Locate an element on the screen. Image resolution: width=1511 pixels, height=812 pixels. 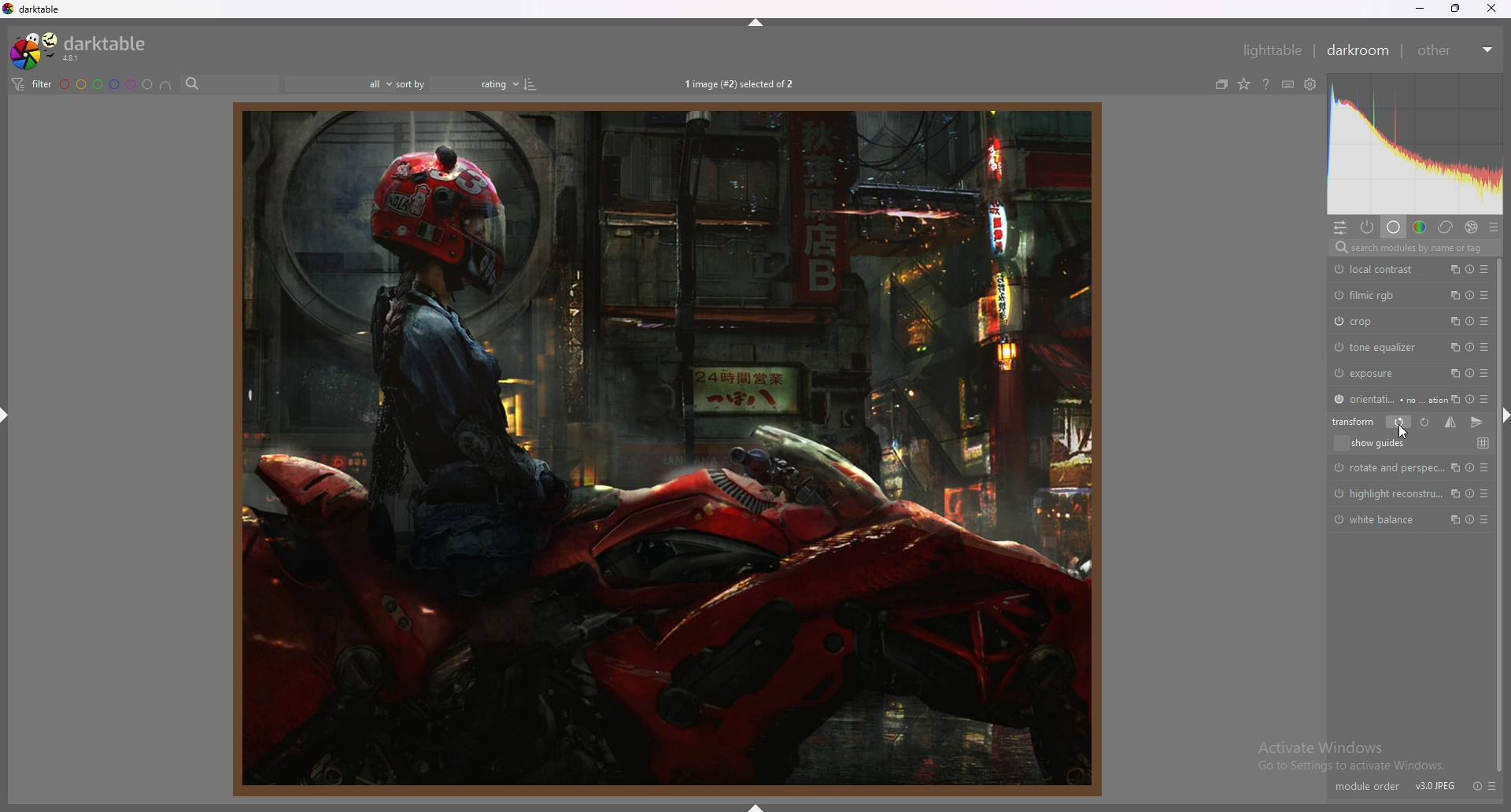
multiple instances action is located at coordinates (1452, 294).